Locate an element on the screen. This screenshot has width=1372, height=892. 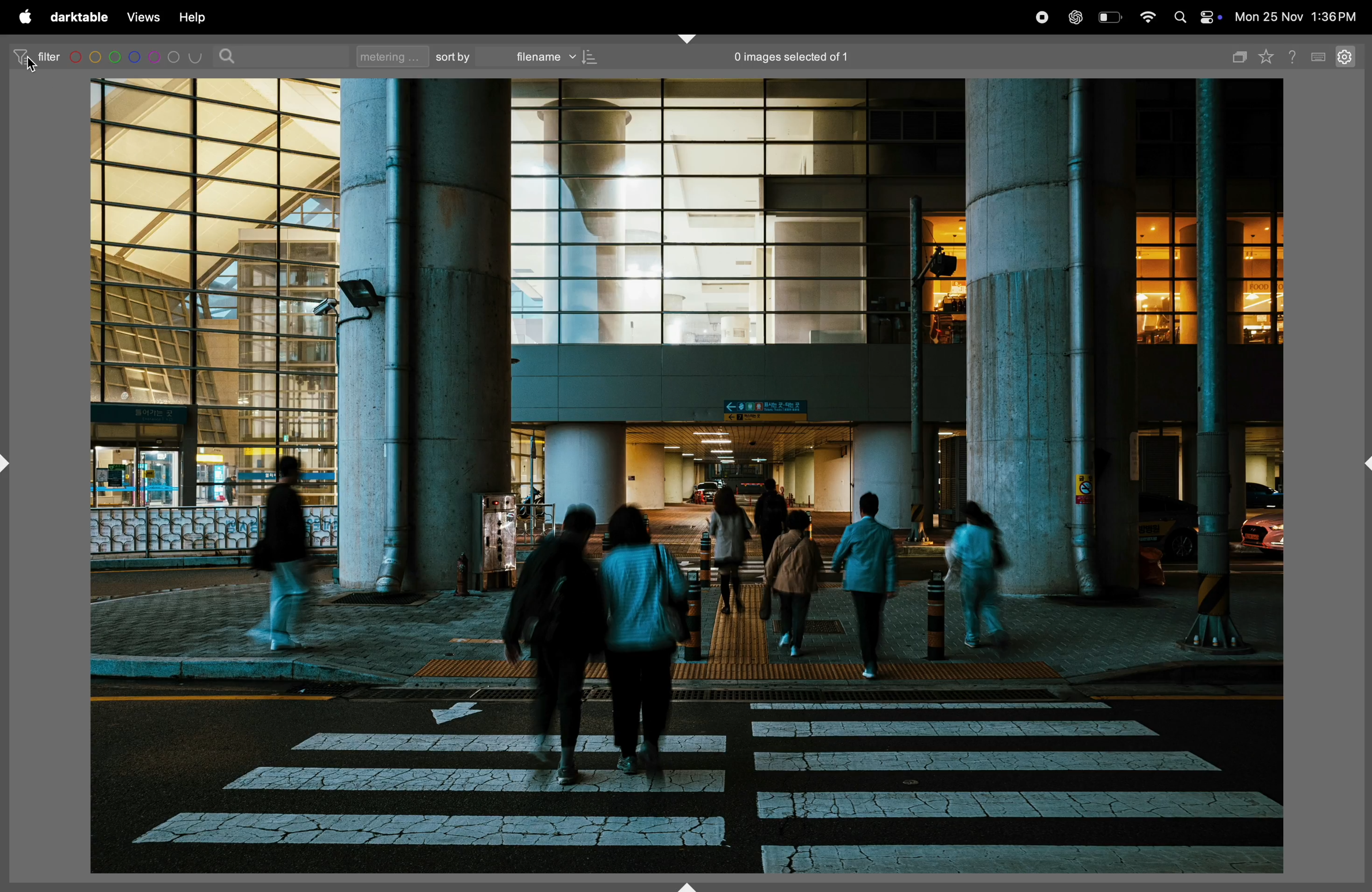
Shift+ctrl+r is located at coordinates (1363, 464).